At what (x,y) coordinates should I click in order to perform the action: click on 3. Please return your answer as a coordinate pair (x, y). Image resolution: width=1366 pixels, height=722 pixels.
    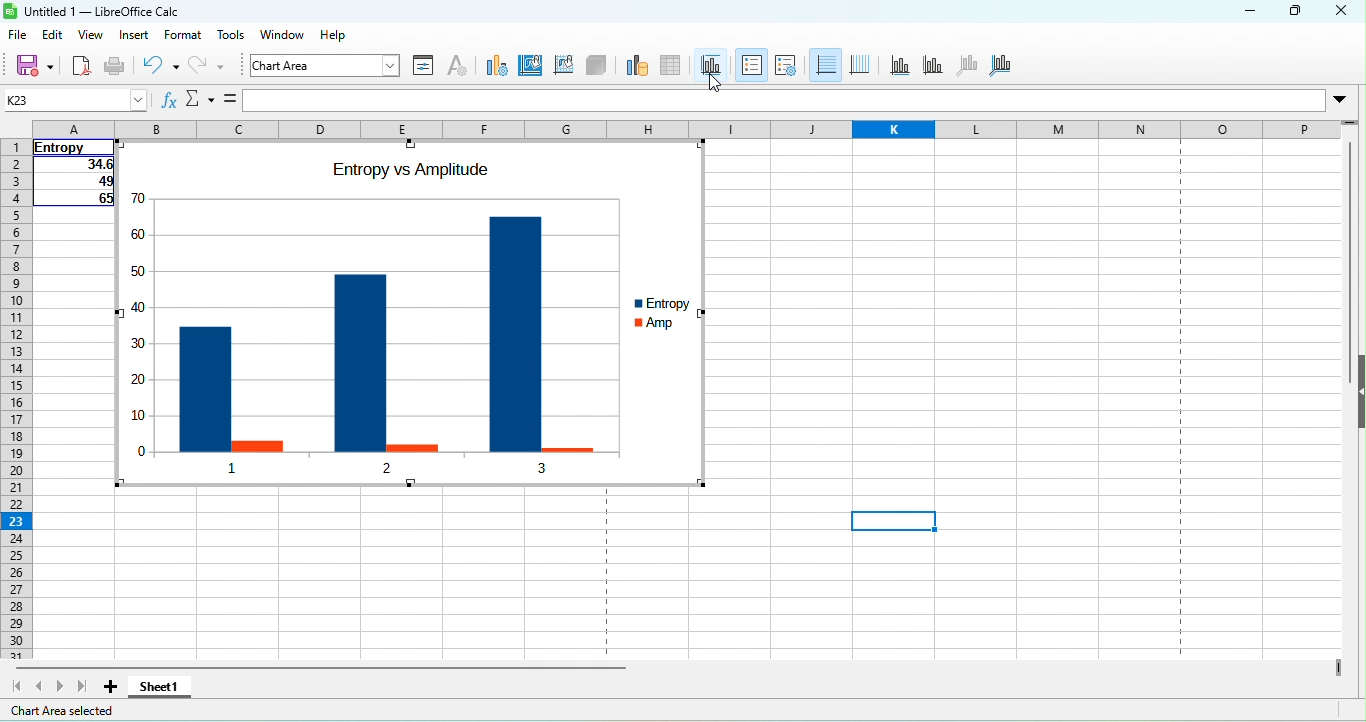
    Looking at the image, I should click on (545, 467).